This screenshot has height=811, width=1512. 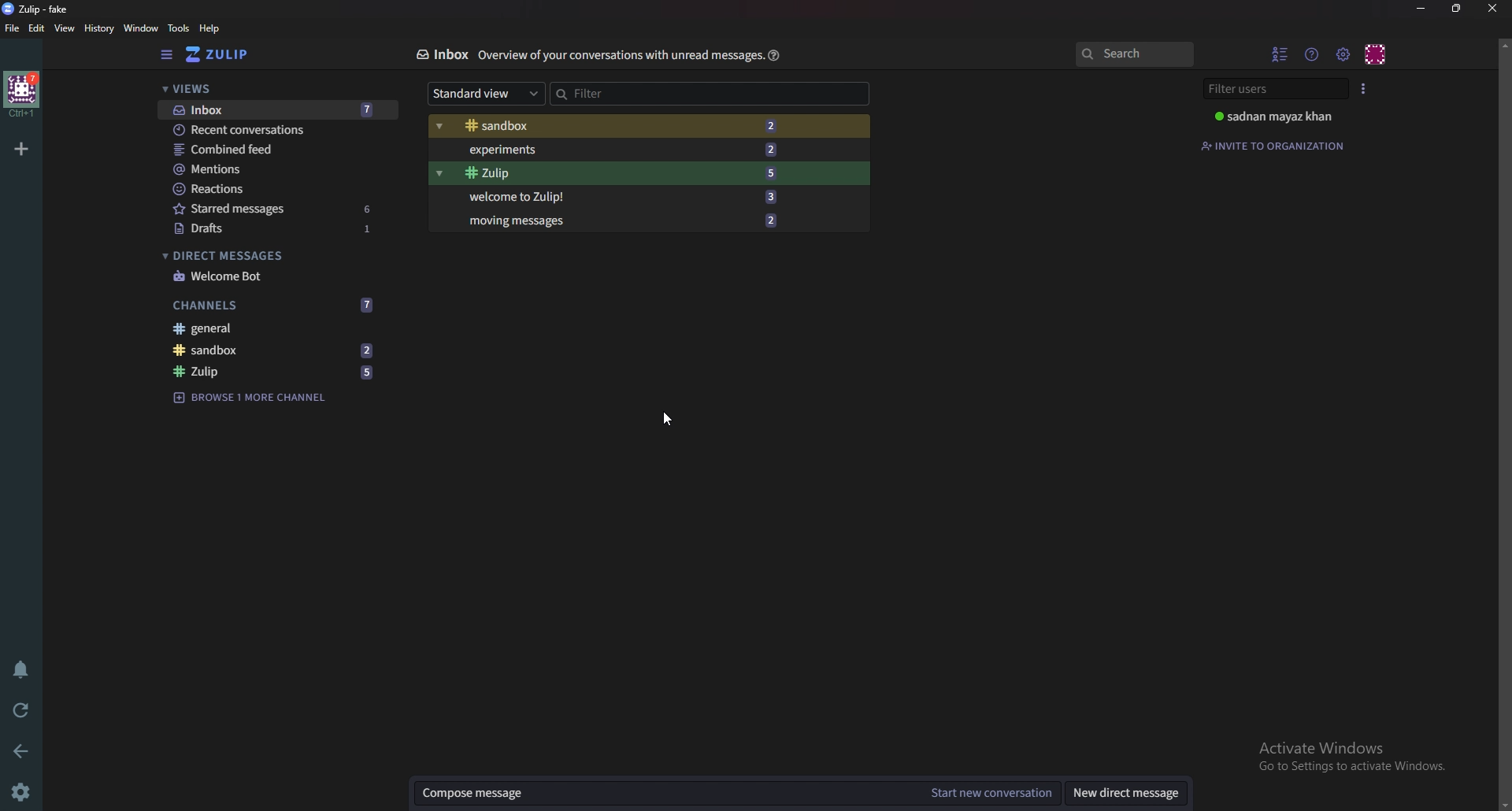 What do you see at coordinates (1503, 426) in the screenshot?
I see `scroll bar` at bounding box center [1503, 426].